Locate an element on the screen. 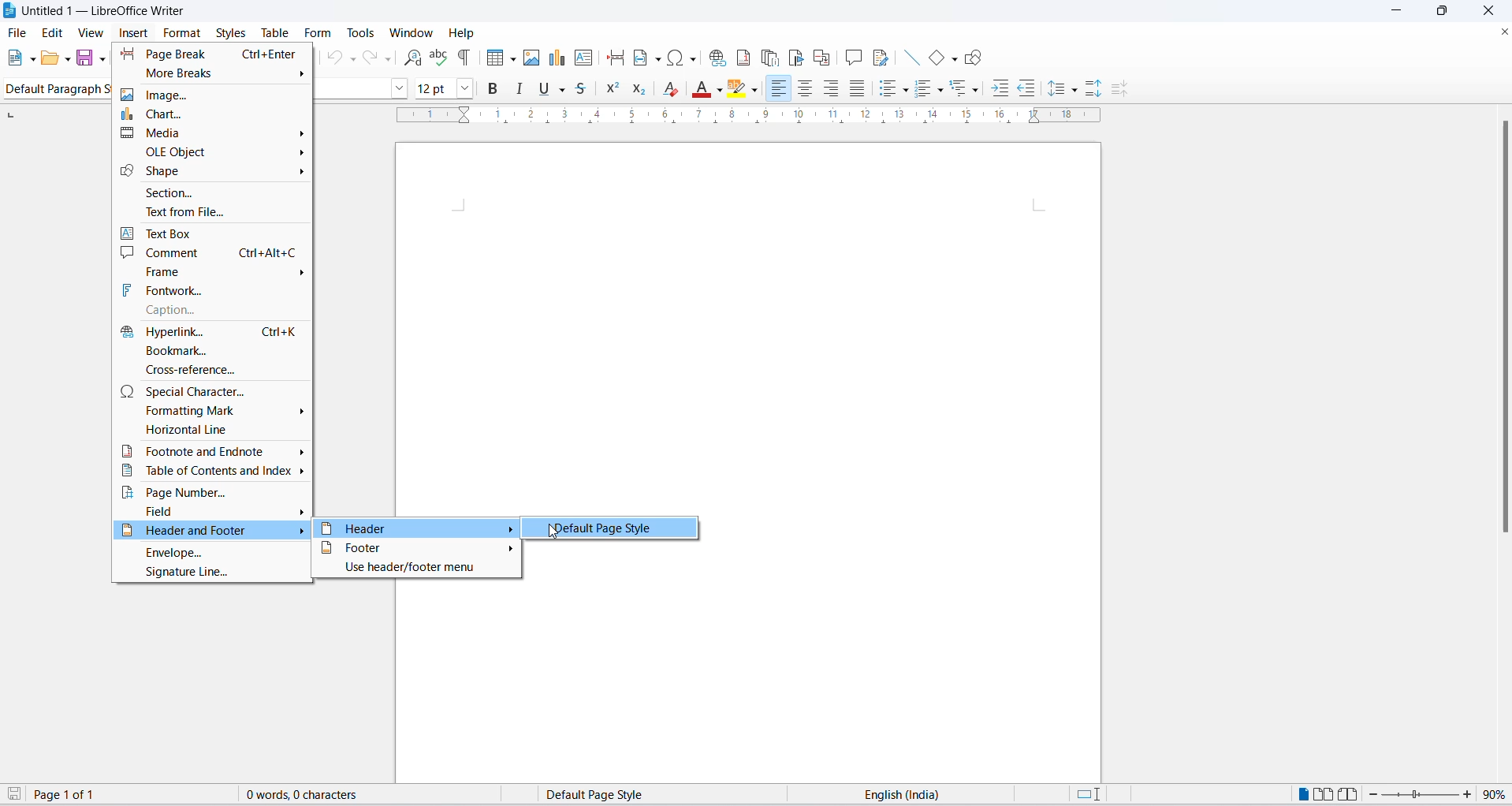 This screenshot has width=1512, height=806. line is located at coordinates (906, 57).